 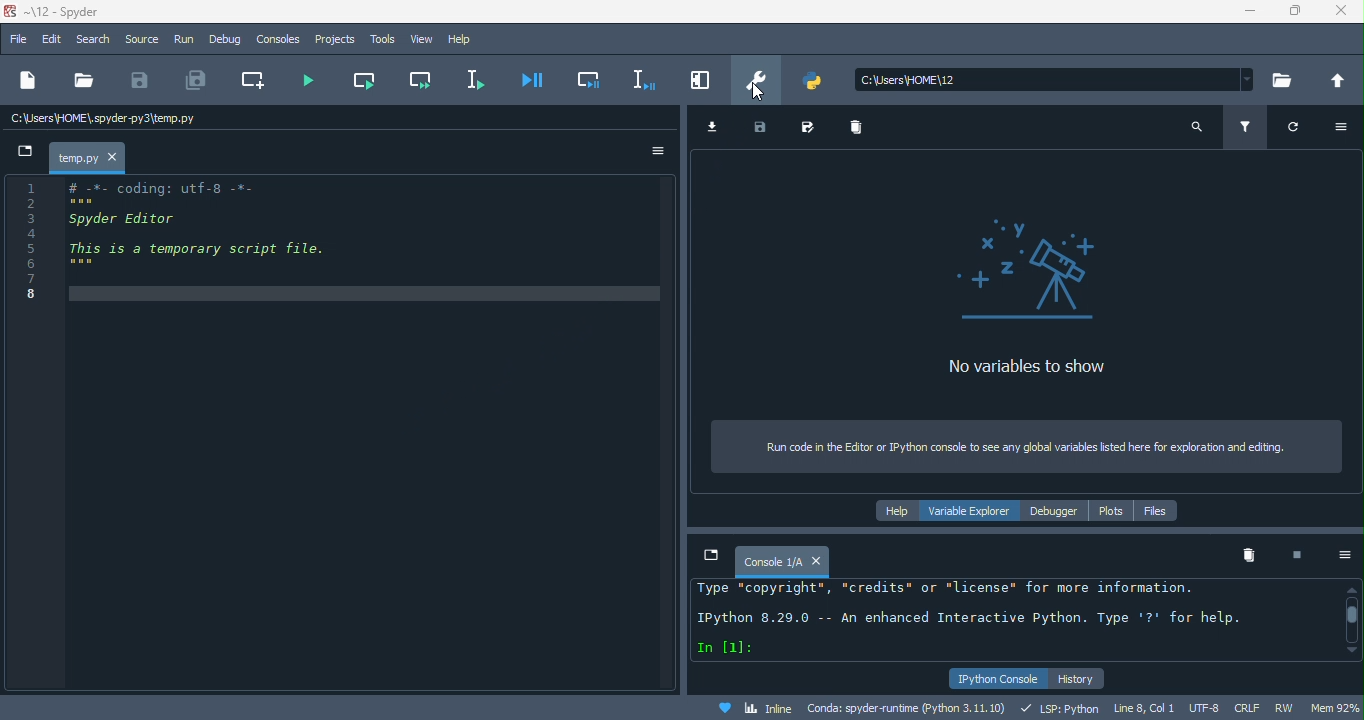 What do you see at coordinates (228, 38) in the screenshot?
I see `debug` at bounding box center [228, 38].